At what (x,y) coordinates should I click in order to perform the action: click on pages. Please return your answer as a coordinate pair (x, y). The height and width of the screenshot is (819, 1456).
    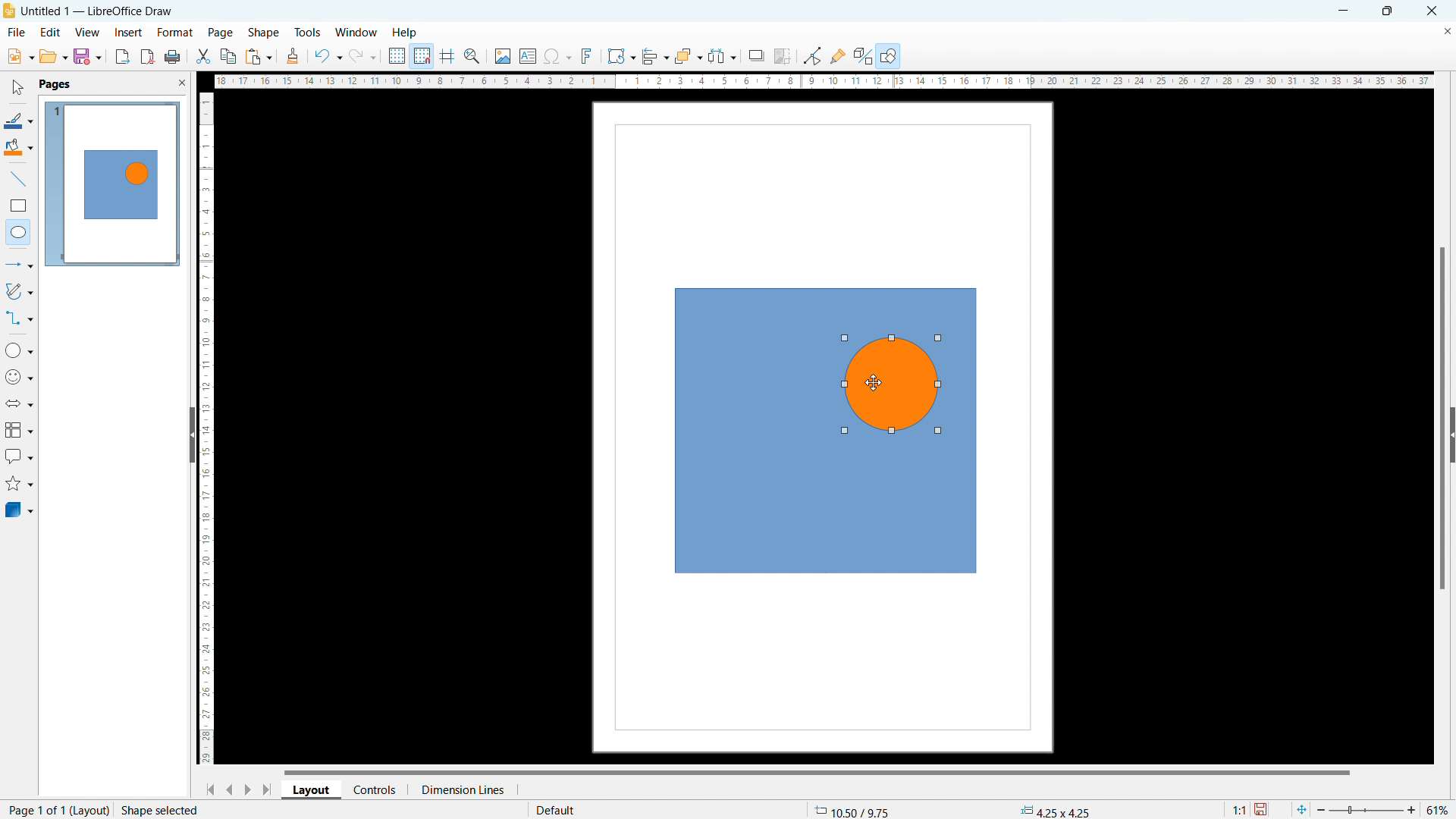
    Looking at the image, I should click on (54, 83).